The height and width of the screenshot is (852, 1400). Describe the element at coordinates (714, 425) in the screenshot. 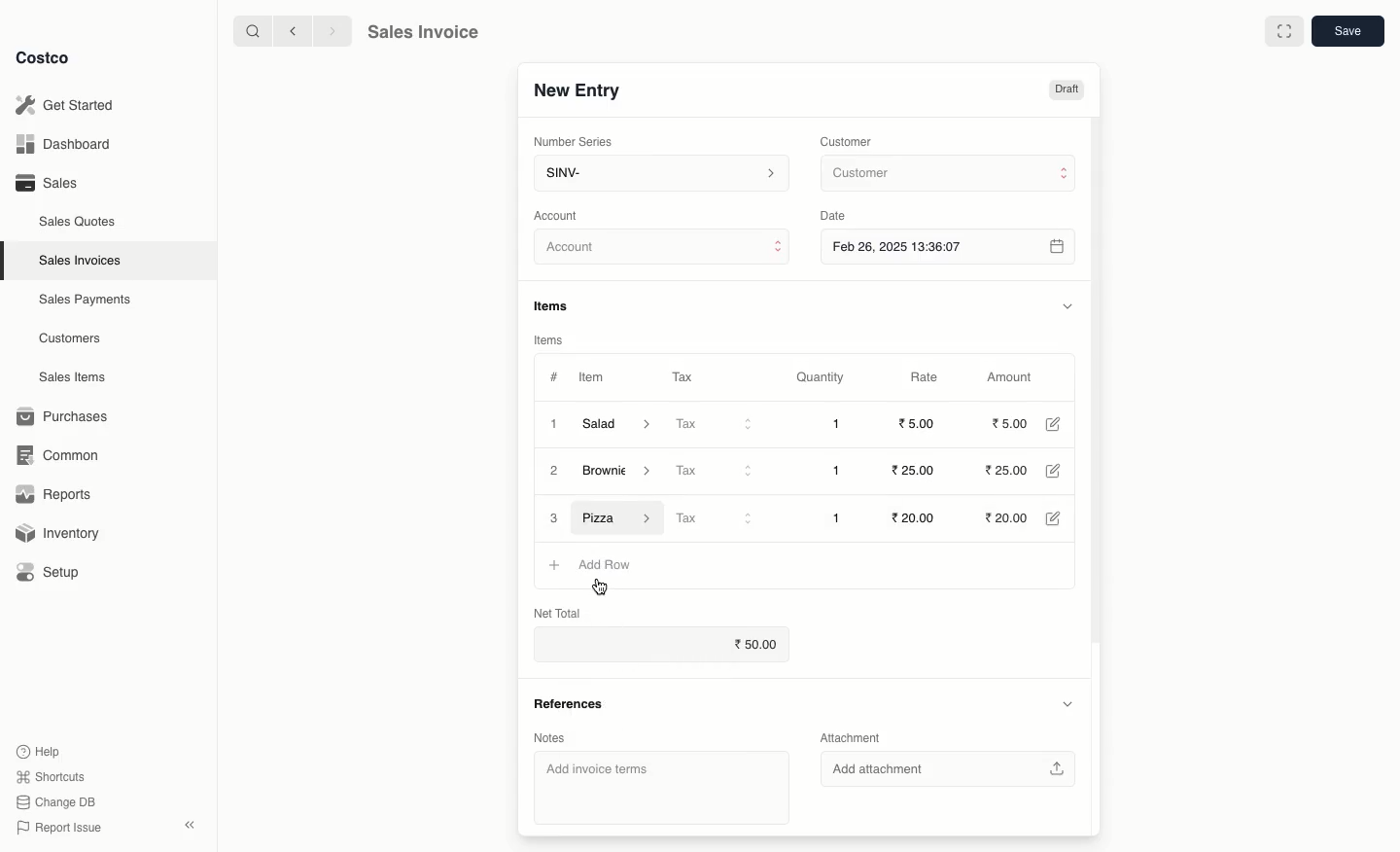

I see `Tax` at that location.